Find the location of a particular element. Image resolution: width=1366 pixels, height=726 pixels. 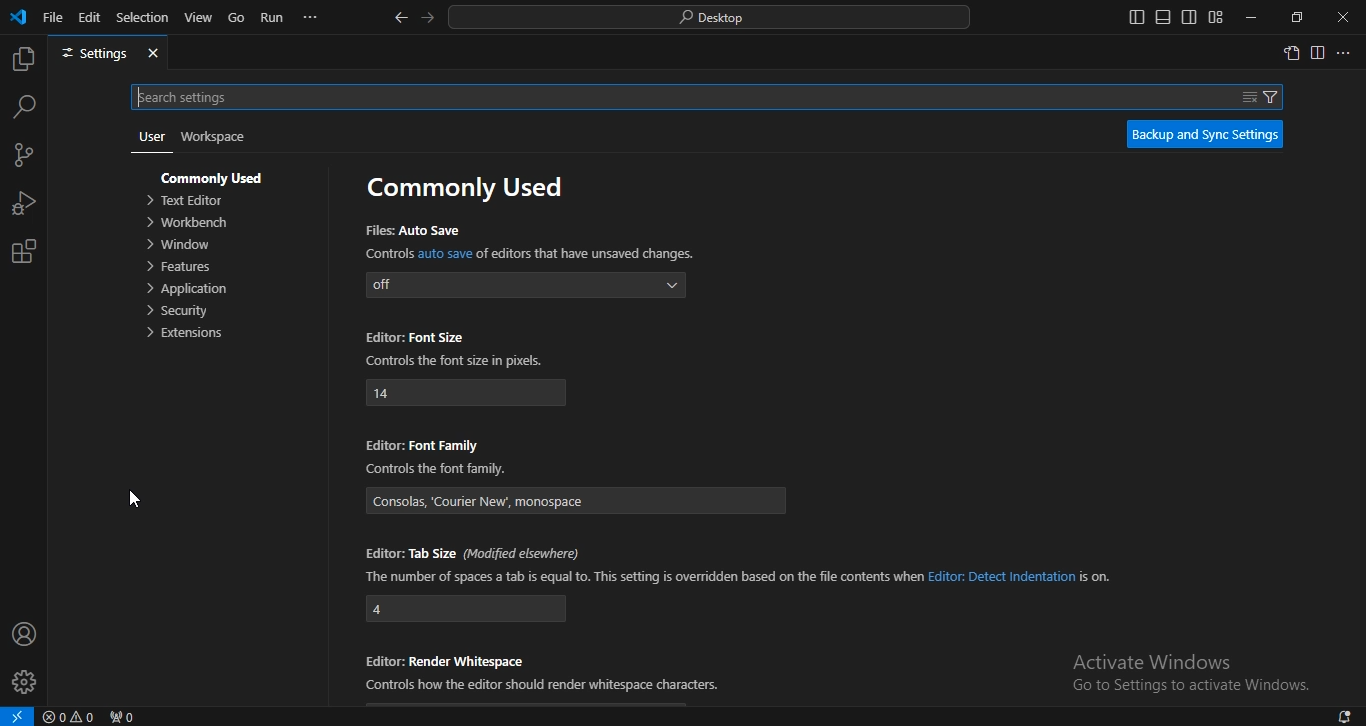

application is located at coordinates (188, 290).